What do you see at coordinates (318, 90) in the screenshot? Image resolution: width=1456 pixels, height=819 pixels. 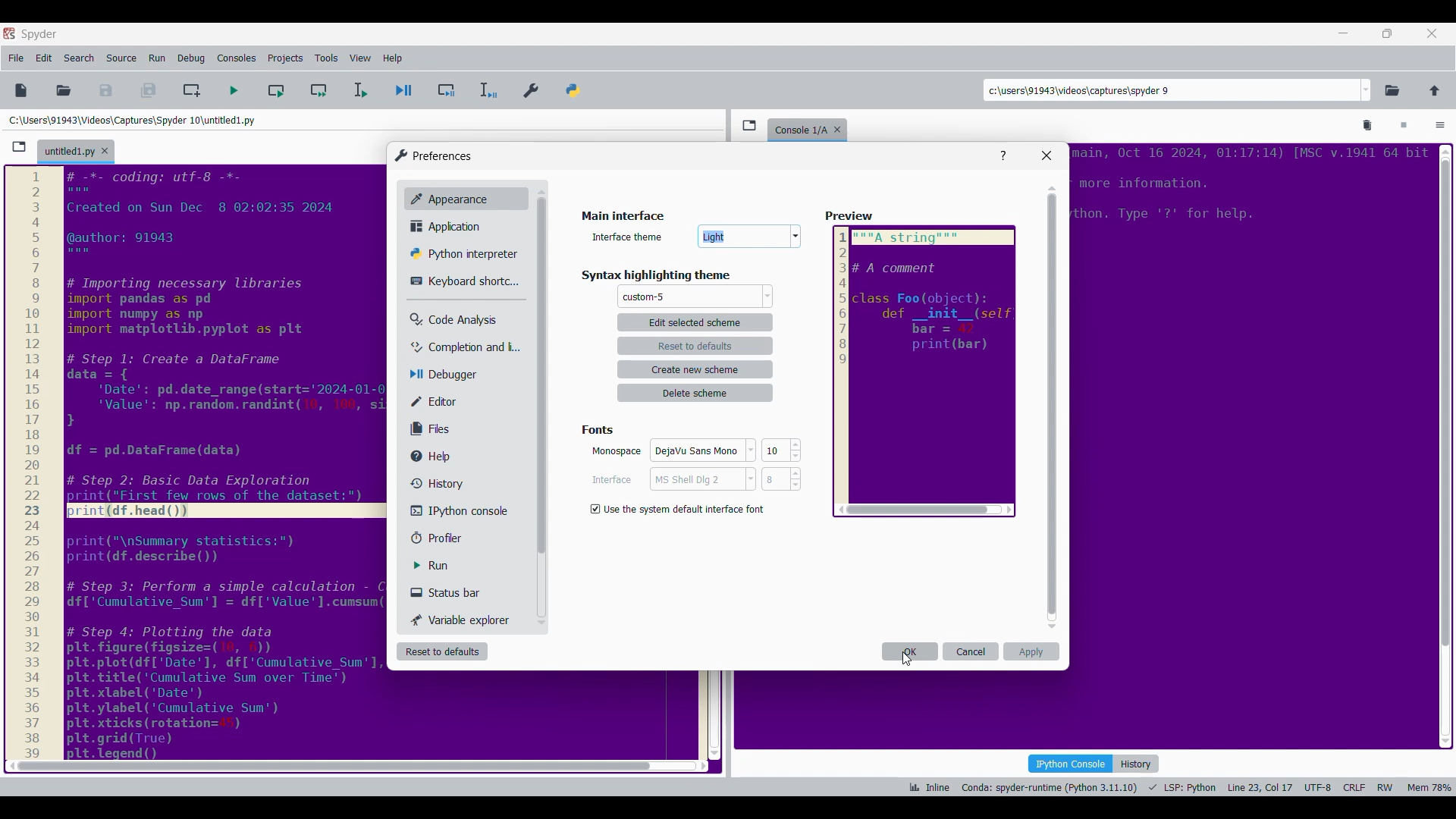 I see `Run current cell and go to next one` at bounding box center [318, 90].